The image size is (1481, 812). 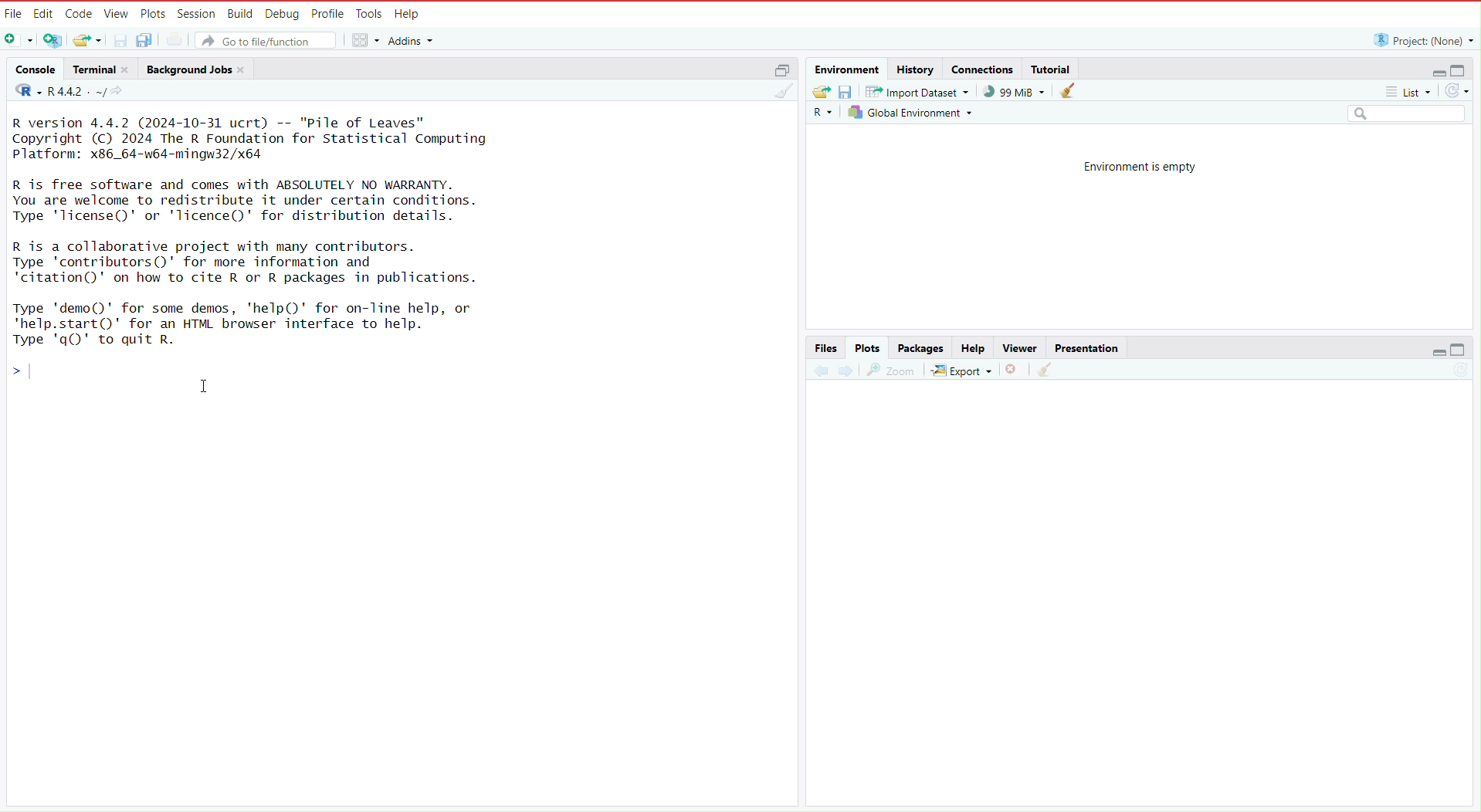 What do you see at coordinates (36, 371) in the screenshot?
I see `typing cursor` at bounding box center [36, 371].